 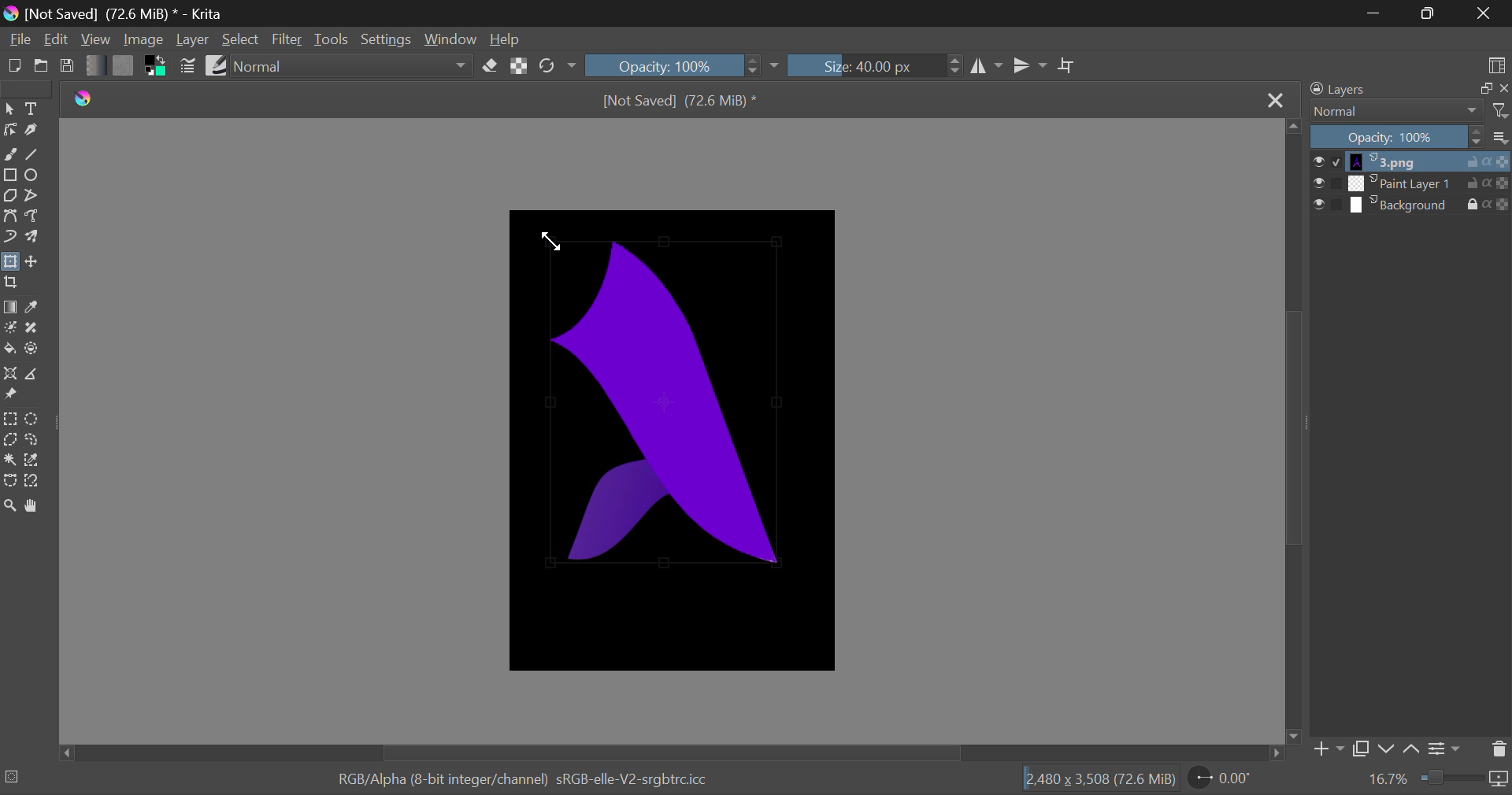 I want to click on Pattern, so click(x=123, y=65).